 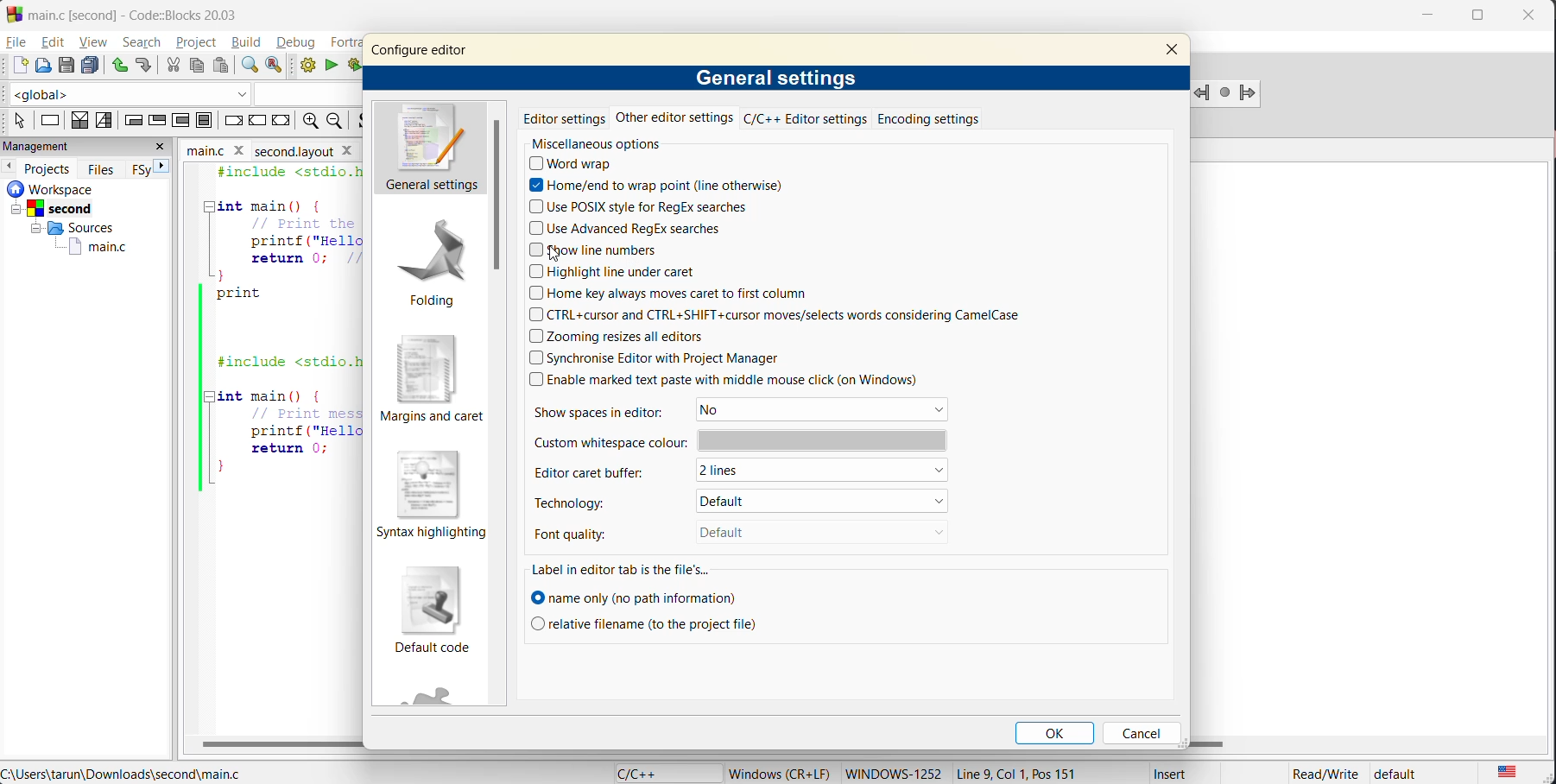 What do you see at coordinates (668, 357) in the screenshot?
I see `synchronize editor with Project Manager` at bounding box center [668, 357].